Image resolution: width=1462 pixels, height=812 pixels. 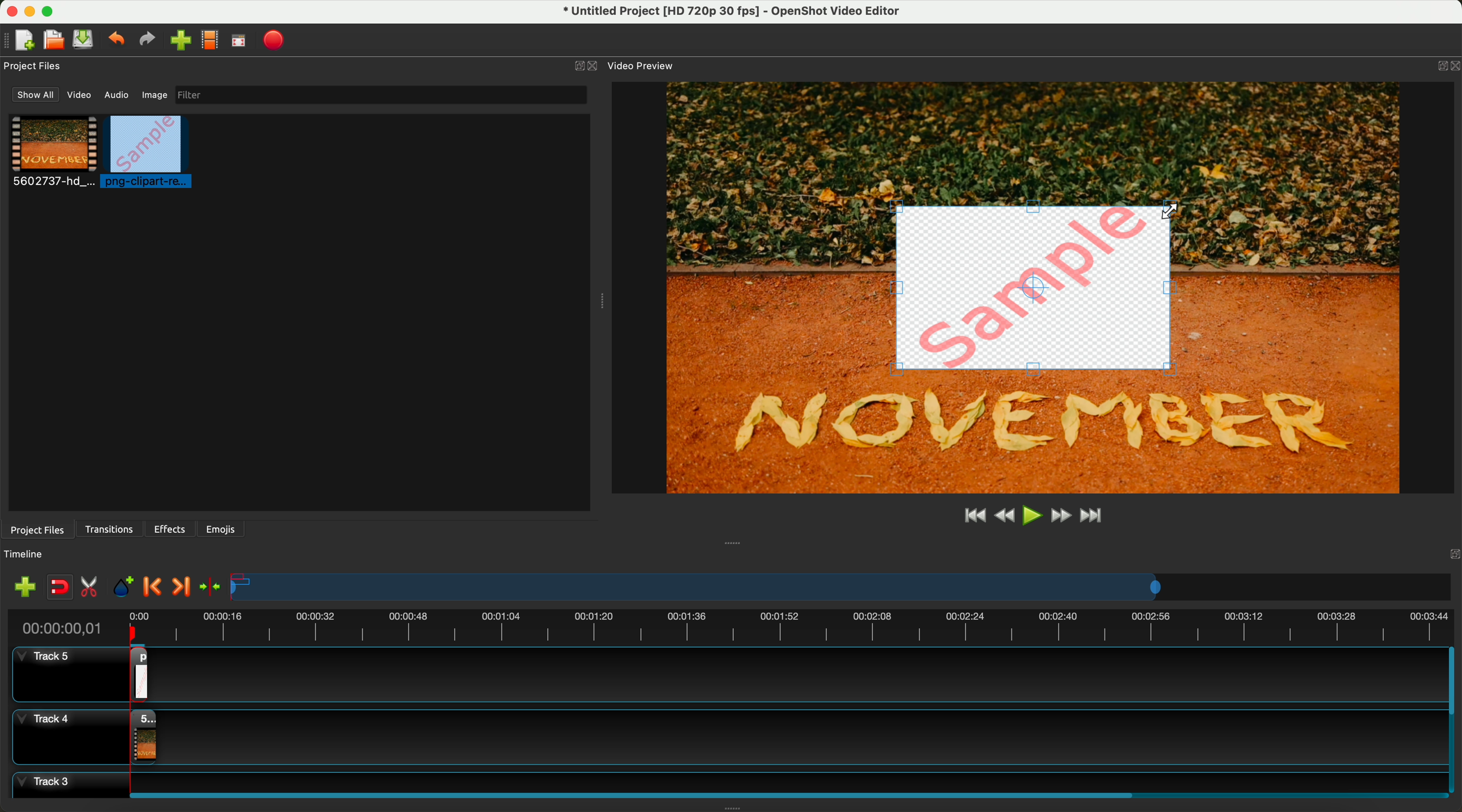 What do you see at coordinates (36, 529) in the screenshot?
I see `project files` at bounding box center [36, 529].